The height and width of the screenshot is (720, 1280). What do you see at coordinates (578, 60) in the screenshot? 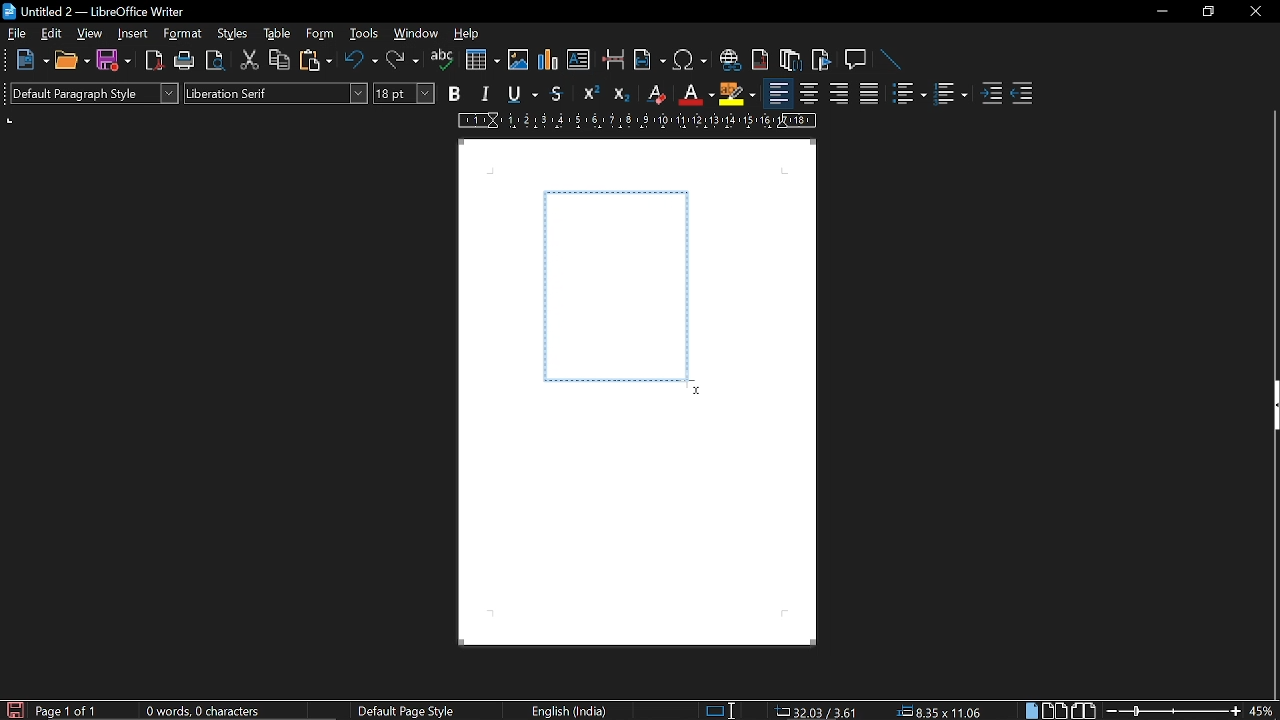
I see `insert text` at bounding box center [578, 60].